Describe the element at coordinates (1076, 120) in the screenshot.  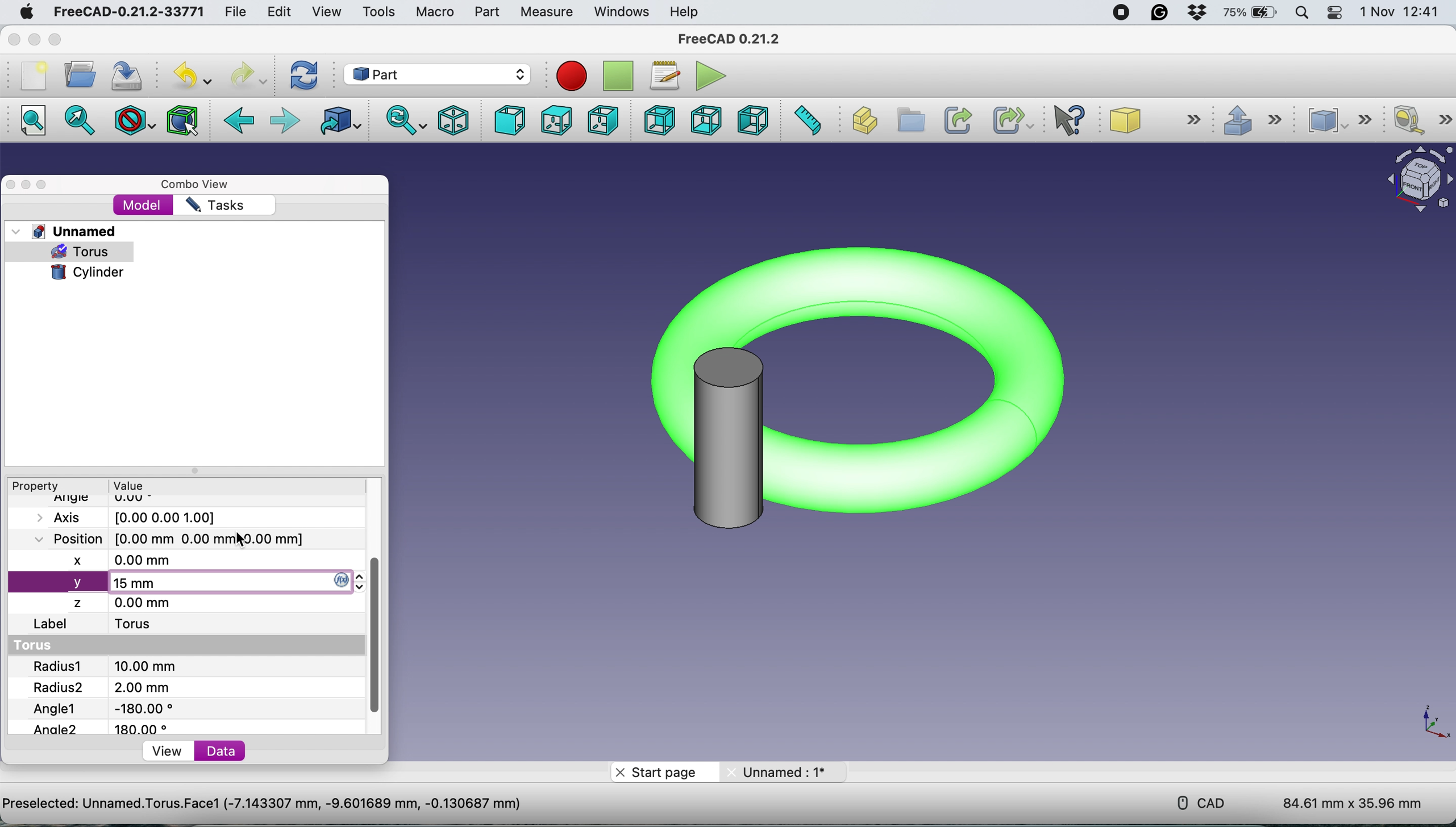
I see `what's this` at that location.